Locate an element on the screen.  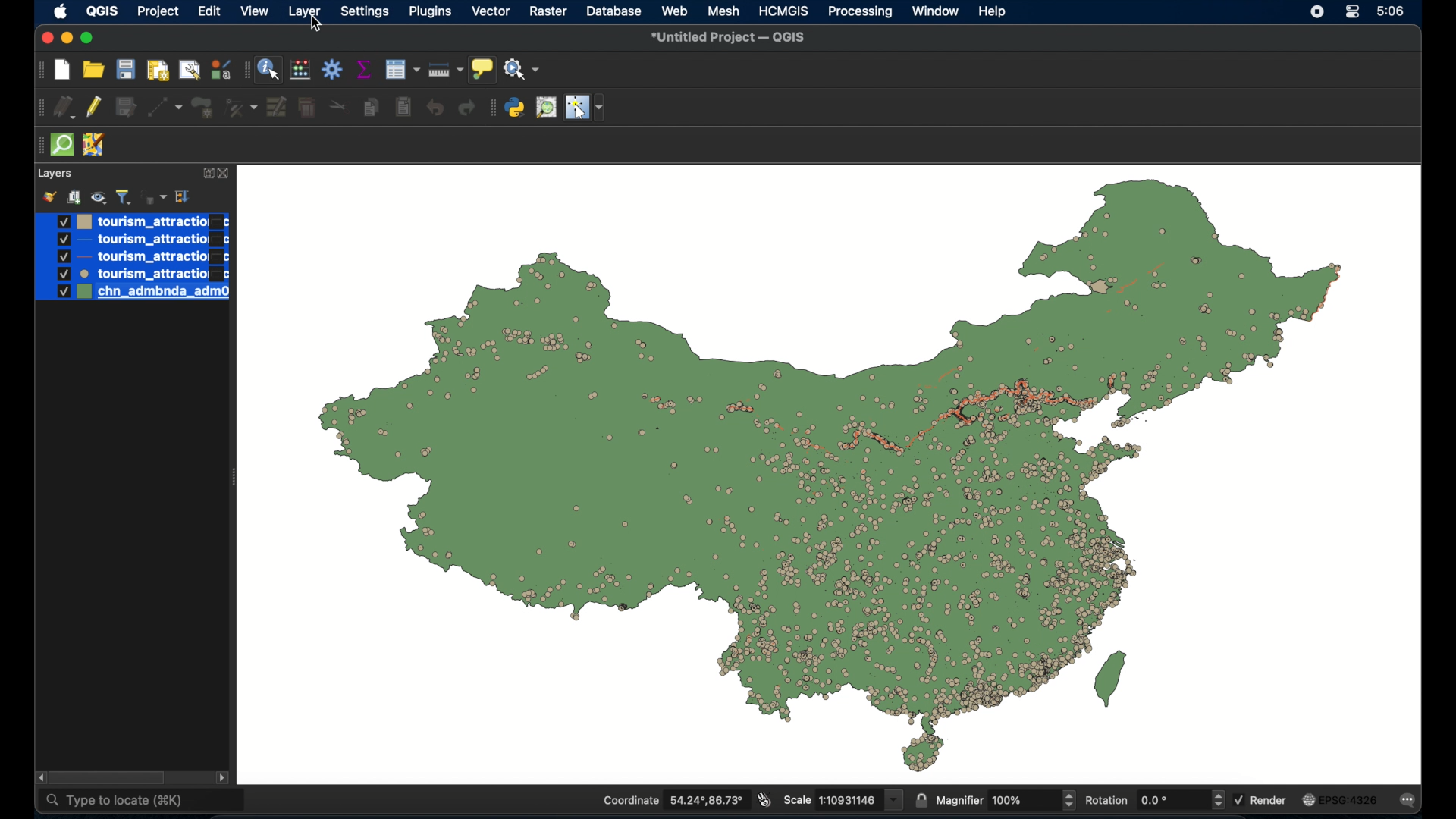
vertex tool is located at coordinates (243, 108).